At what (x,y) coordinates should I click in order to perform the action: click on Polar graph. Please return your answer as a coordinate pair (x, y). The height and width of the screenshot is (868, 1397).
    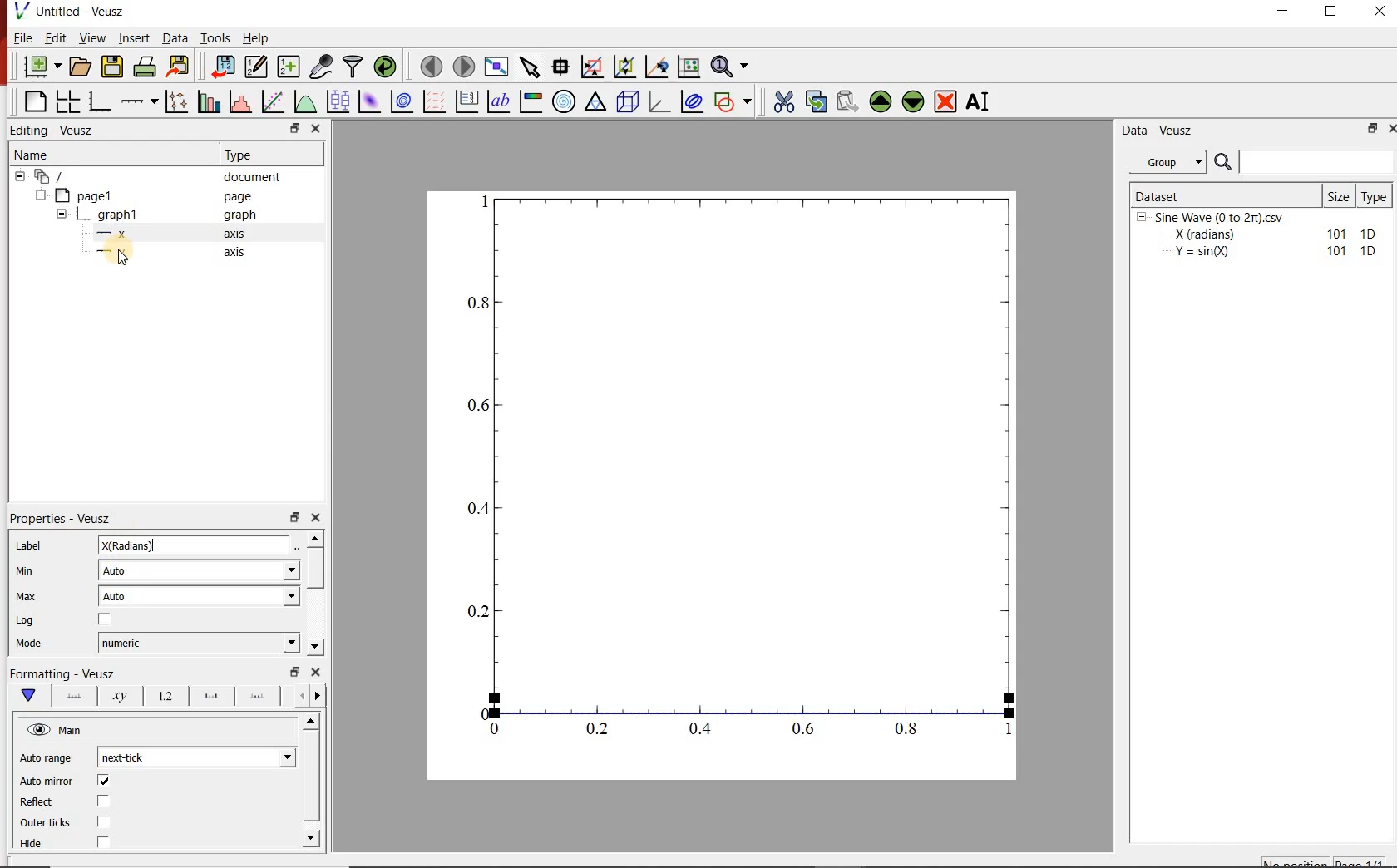
    Looking at the image, I should click on (565, 101).